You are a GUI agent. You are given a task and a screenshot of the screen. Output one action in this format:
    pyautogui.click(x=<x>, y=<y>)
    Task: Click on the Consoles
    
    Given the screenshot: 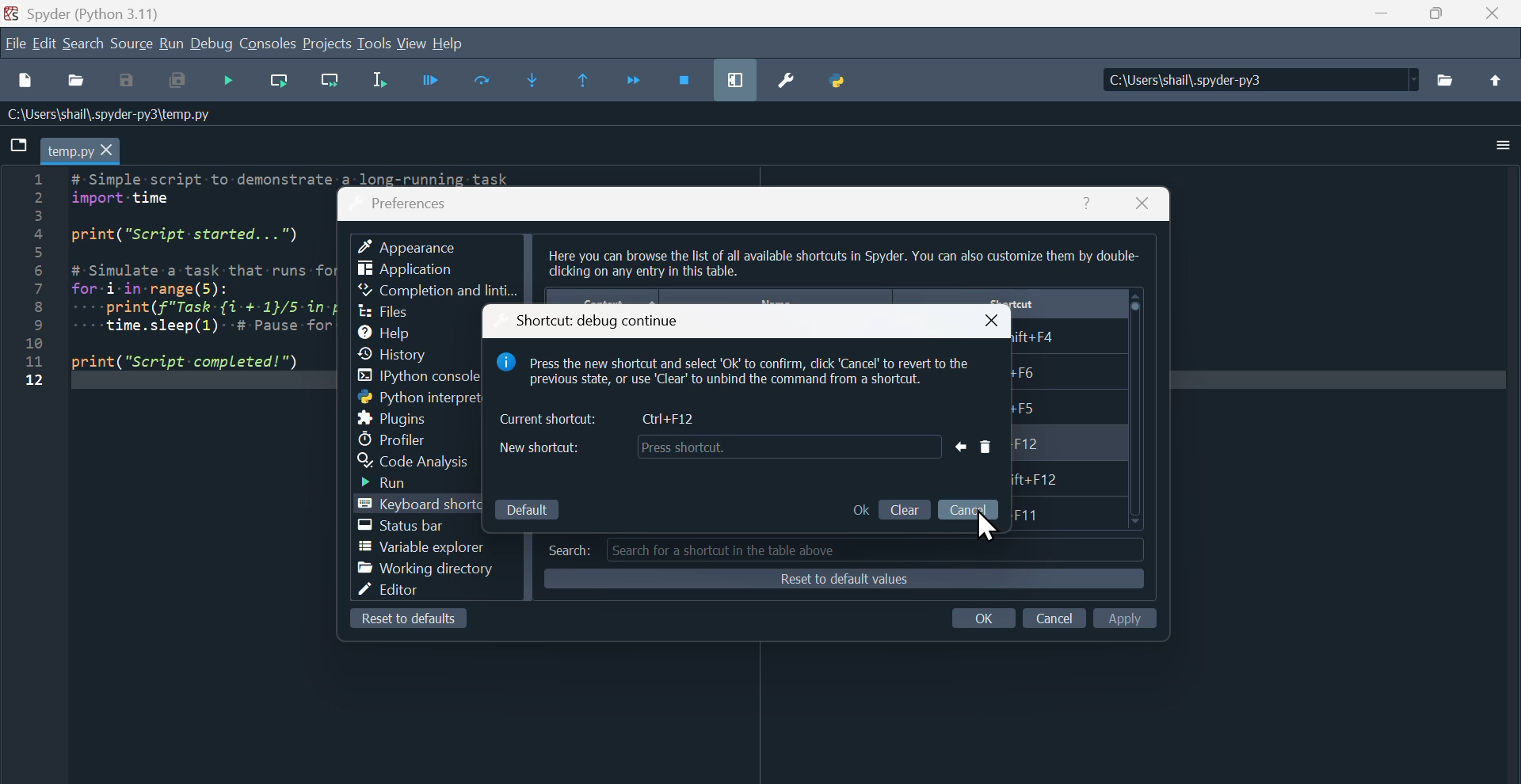 What is the action you would take?
    pyautogui.click(x=269, y=43)
    